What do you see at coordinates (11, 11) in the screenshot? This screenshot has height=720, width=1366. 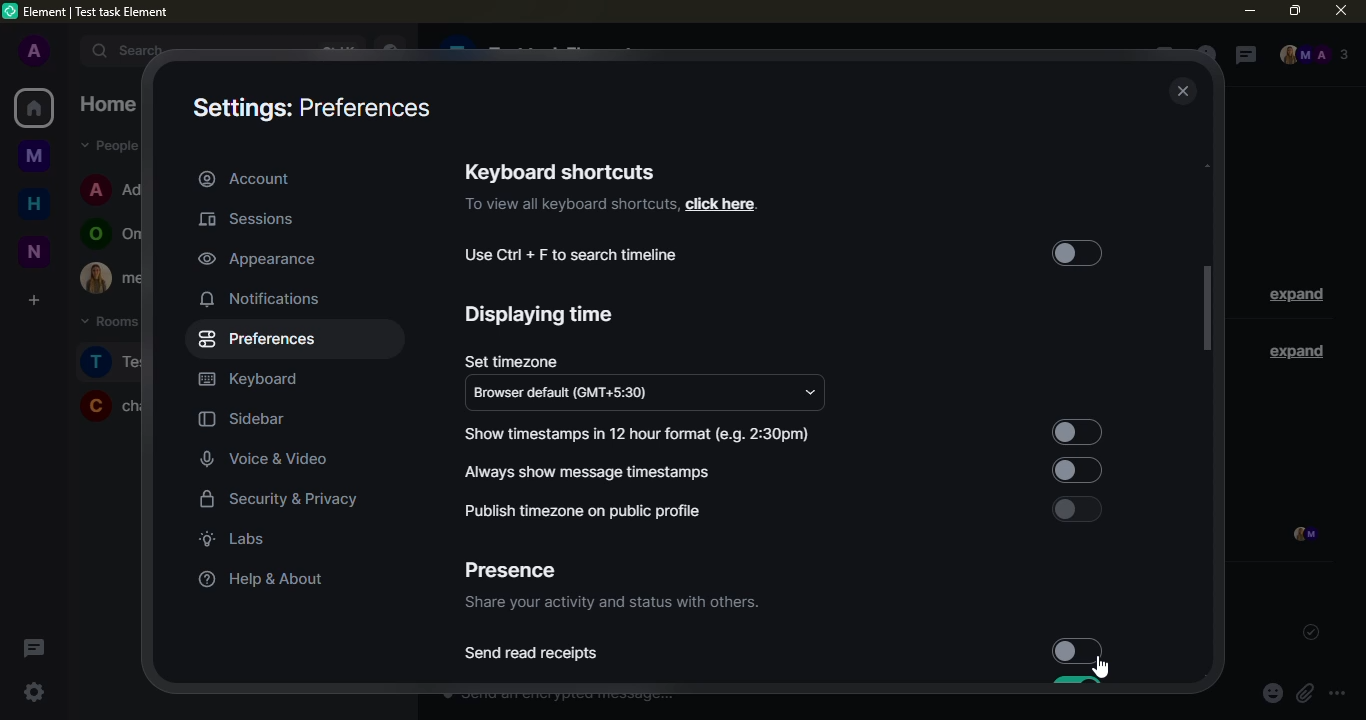 I see `logo` at bounding box center [11, 11].